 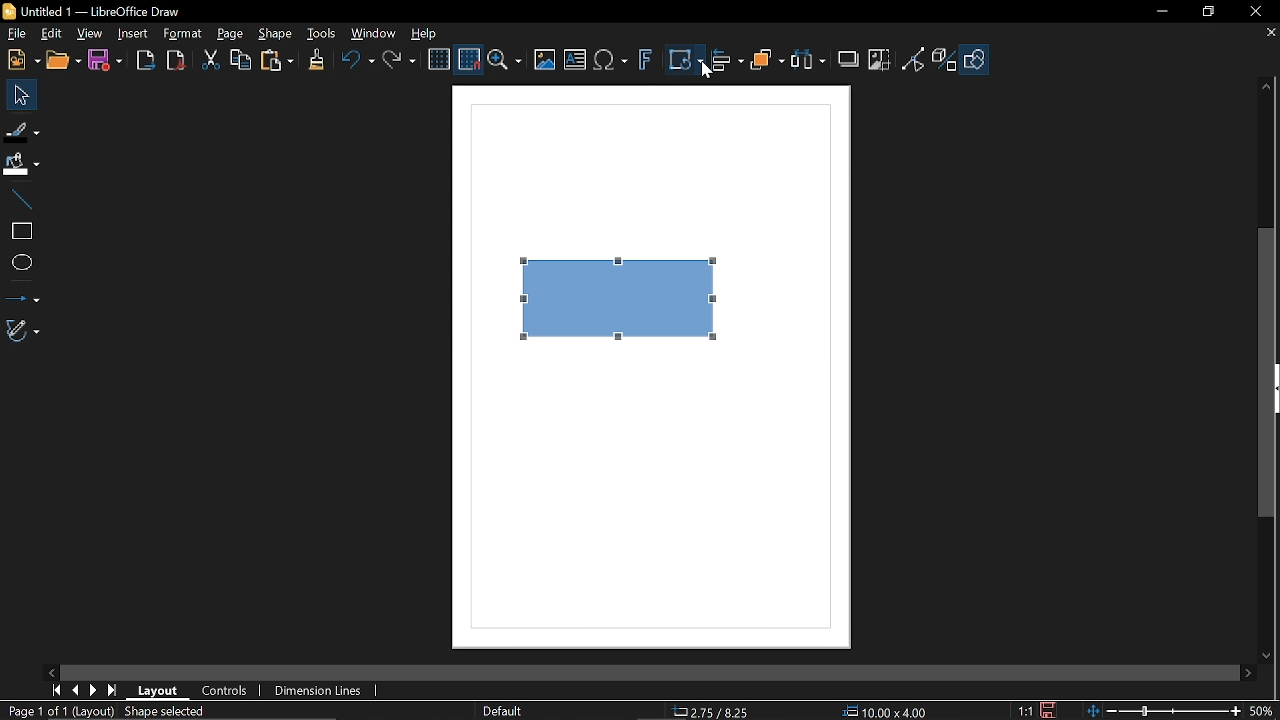 What do you see at coordinates (322, 34) in the screenshot?
I see `Tools` at bounding box center [322, 34].